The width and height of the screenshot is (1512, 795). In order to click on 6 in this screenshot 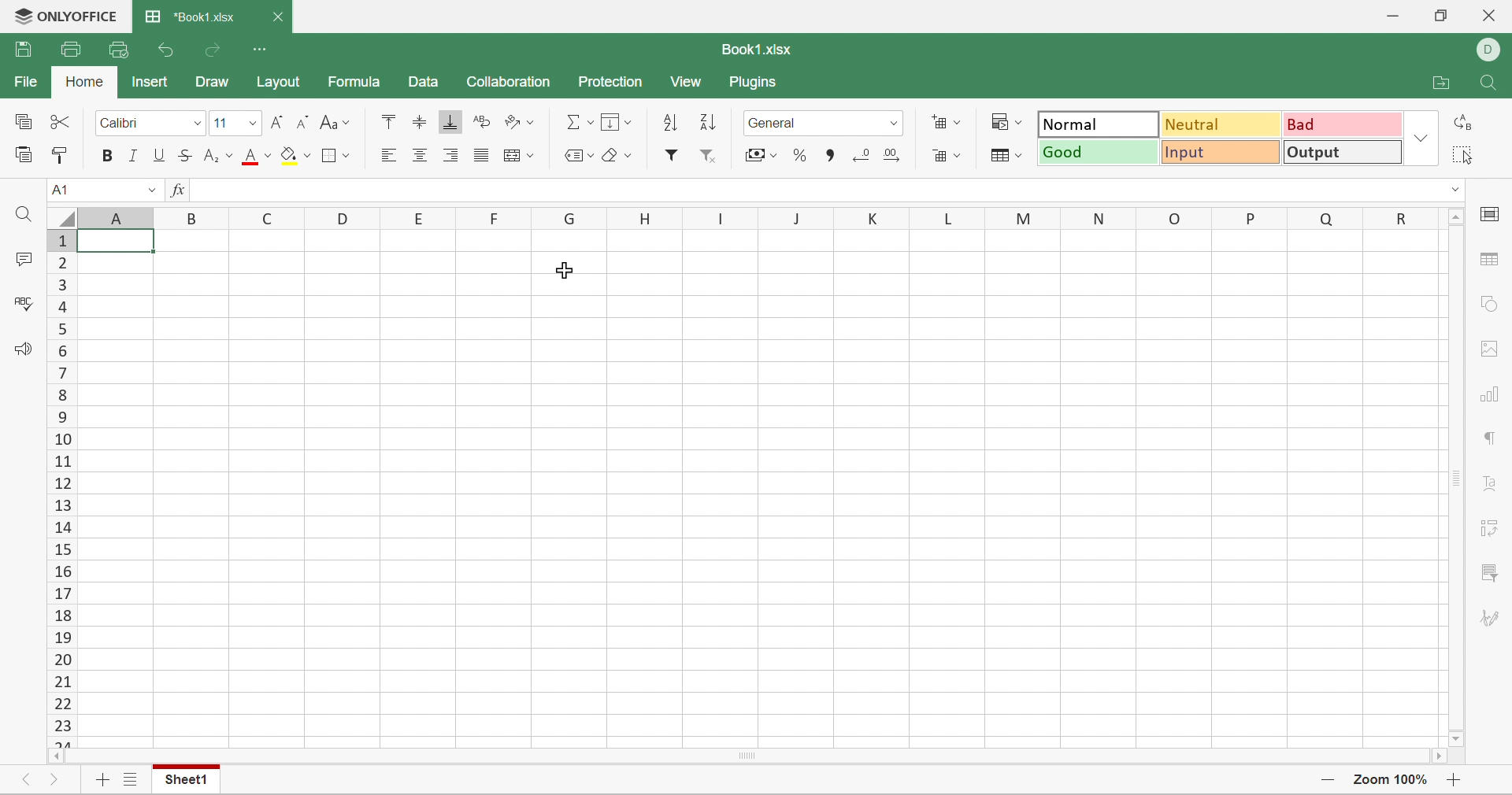, I will do `click(65, 349)`.